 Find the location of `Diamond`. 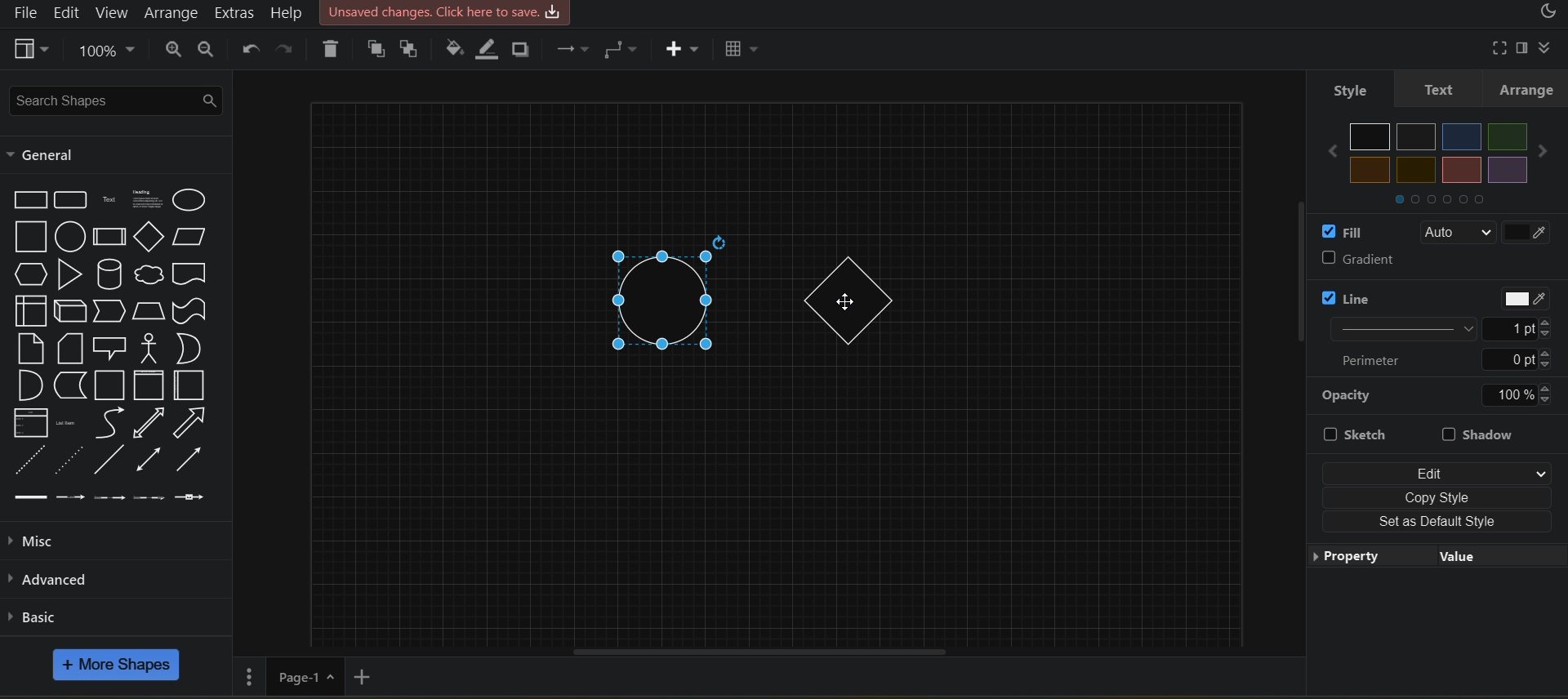

Diamond is located at coordinates (148, 236).